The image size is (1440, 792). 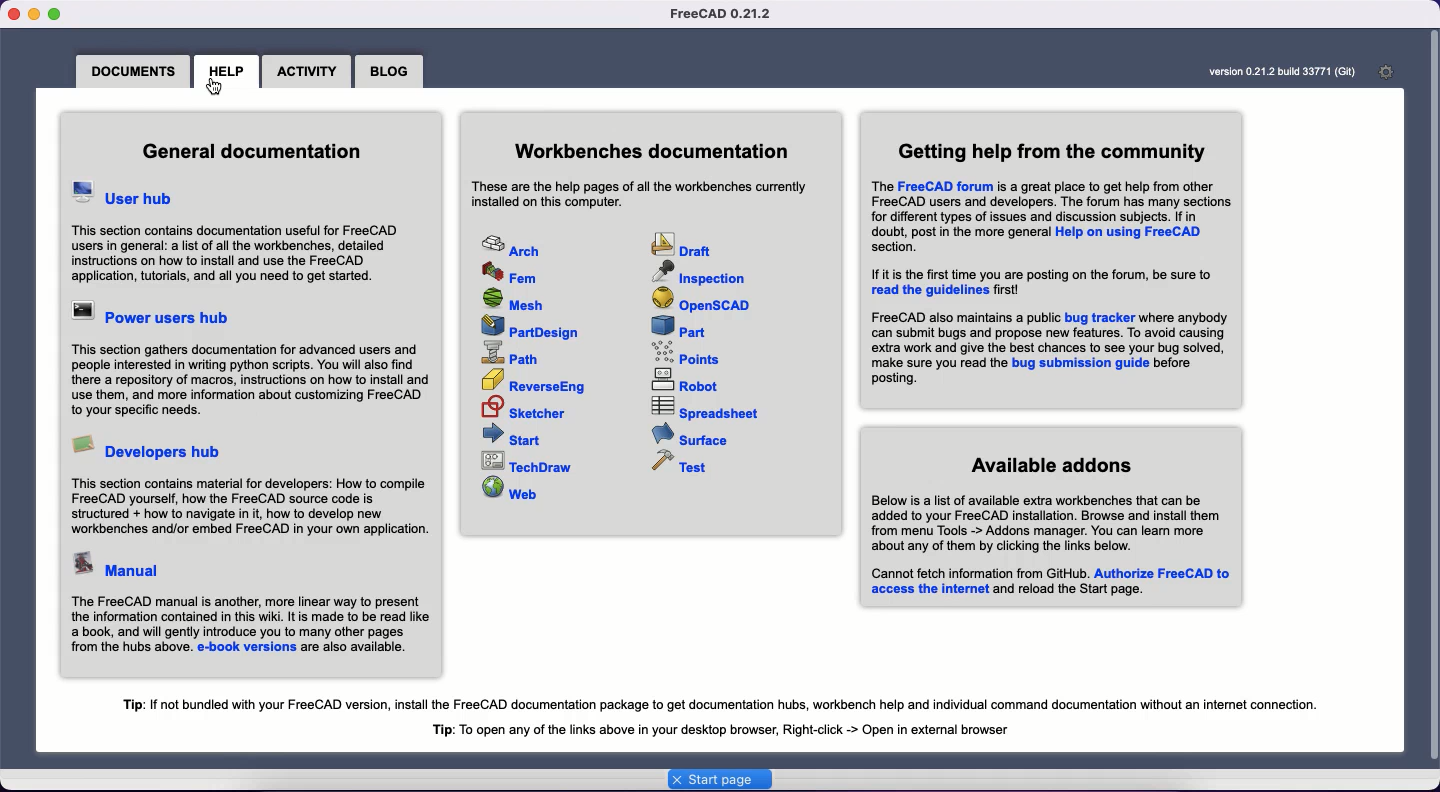 What do you see at coordinates (33, 15) in the screenshot?
I see `Minimize` at bounding box center [33, 15].